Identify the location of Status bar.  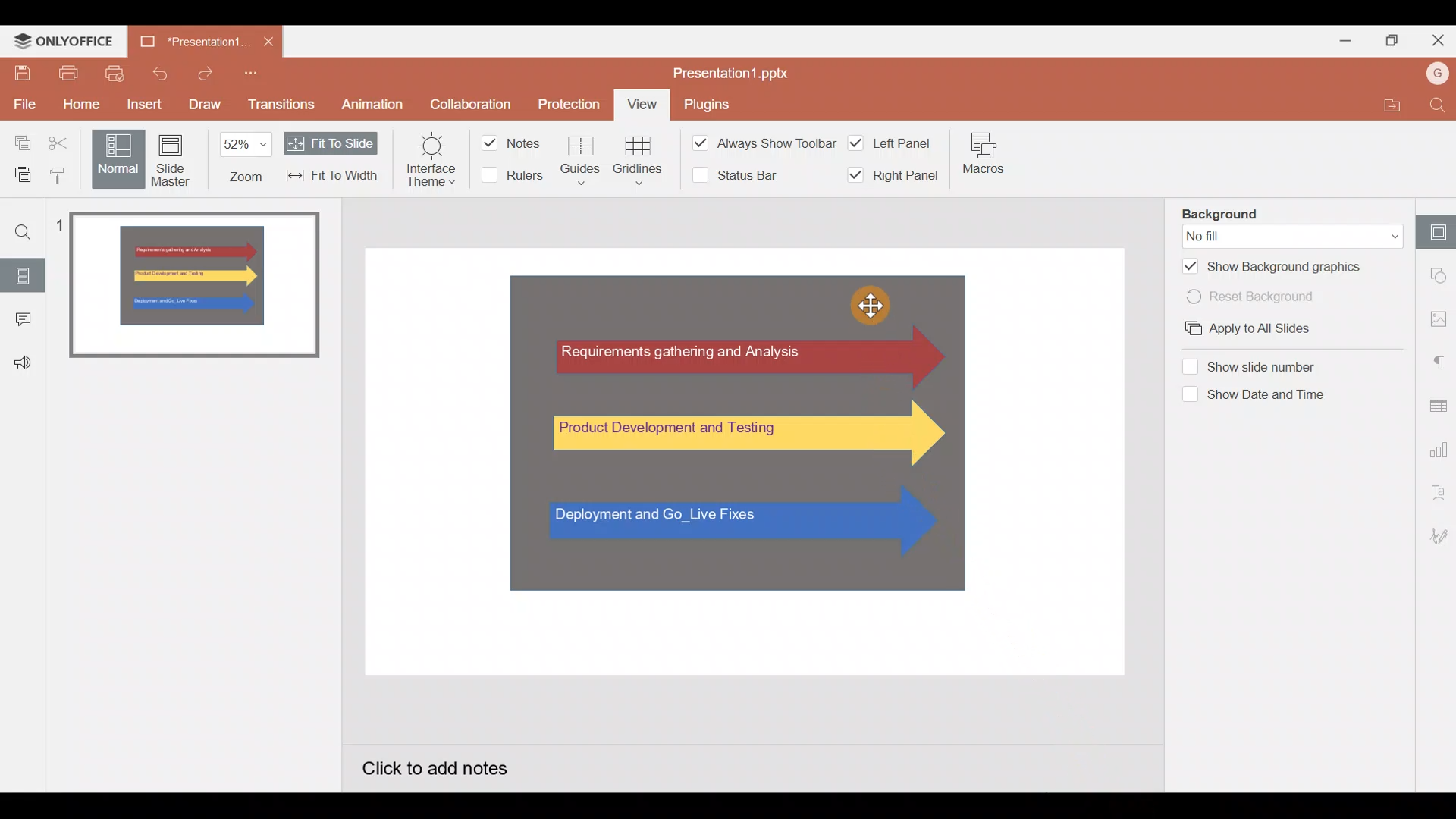
(729, 177).